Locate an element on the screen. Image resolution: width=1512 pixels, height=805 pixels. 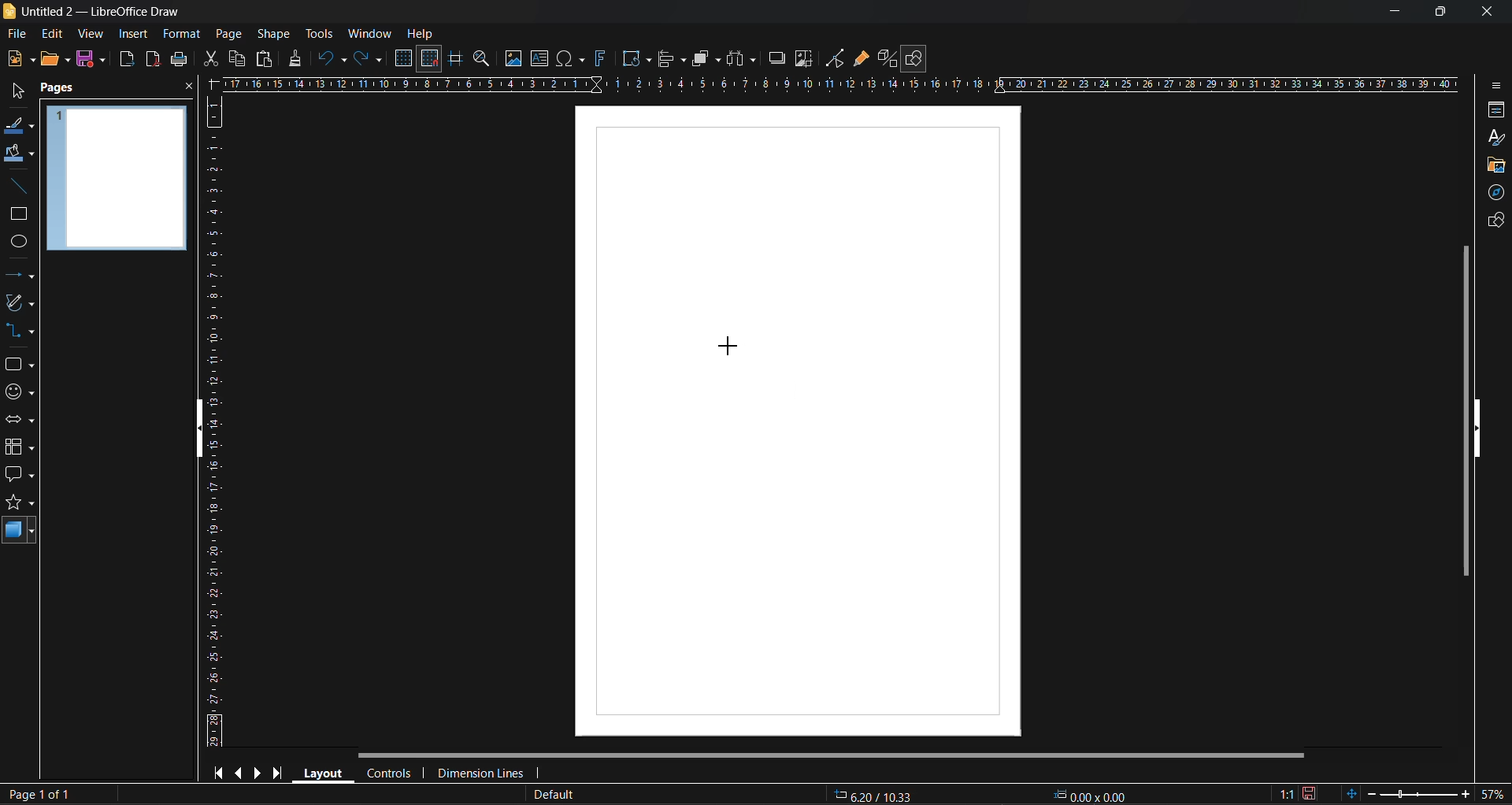
minimize is located at coordinates (1388, 12).